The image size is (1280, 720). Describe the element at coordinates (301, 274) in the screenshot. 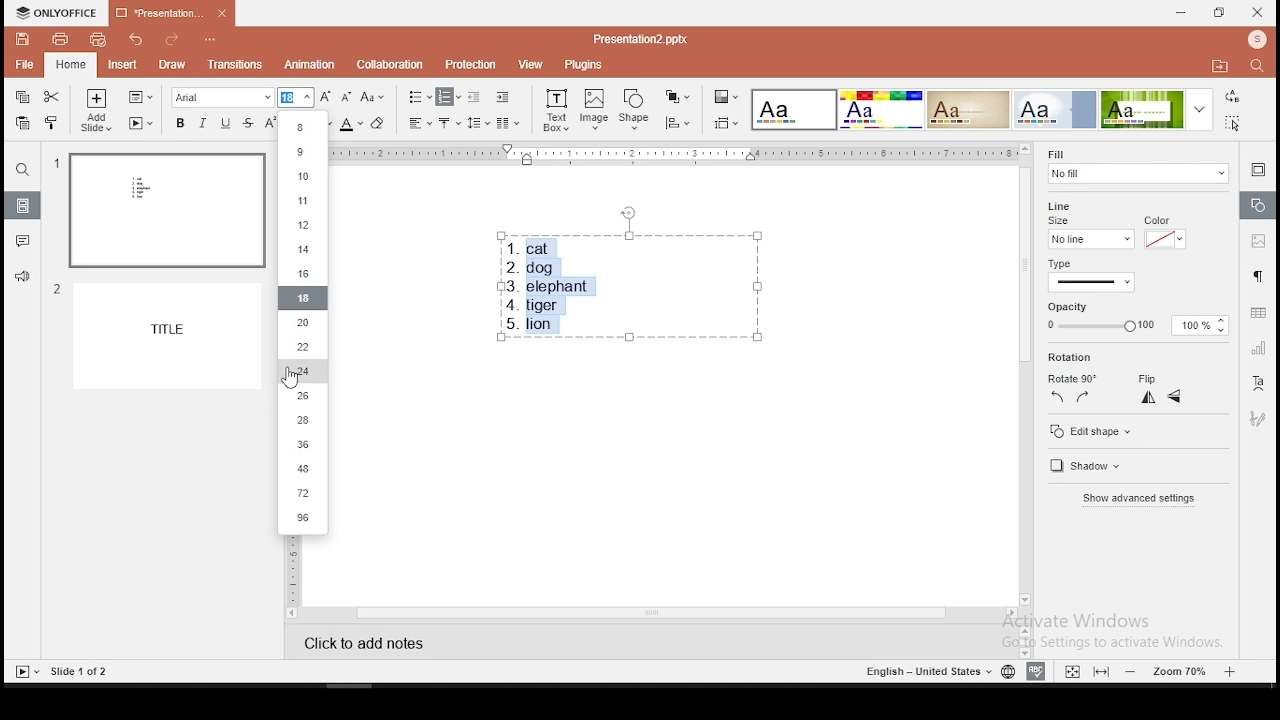

I see `16` at that location.